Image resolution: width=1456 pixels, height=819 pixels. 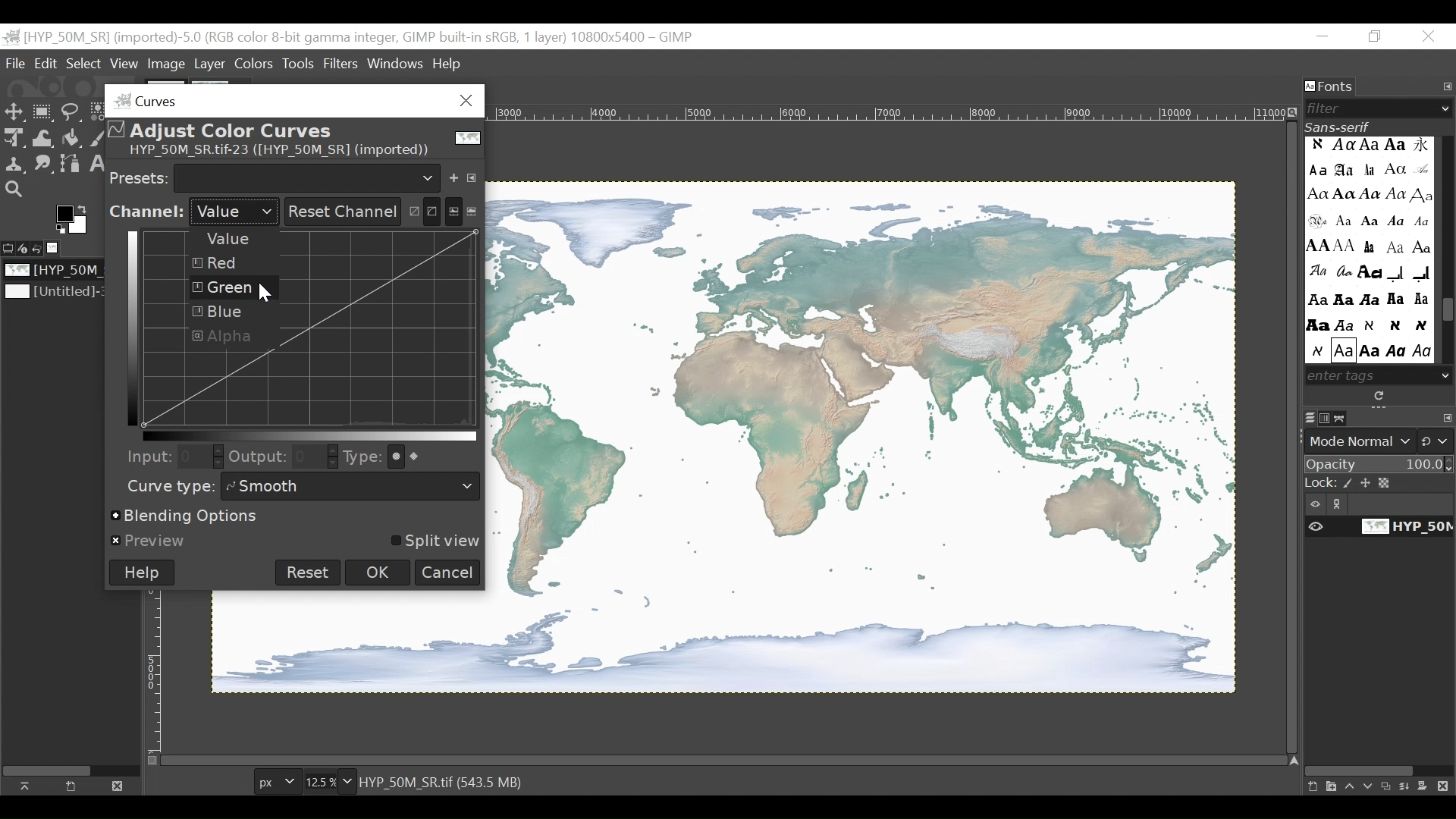 What do you see at coordinates (397, 61) in the screenshot?
I see `Windows` at bounding box center [397, 61].